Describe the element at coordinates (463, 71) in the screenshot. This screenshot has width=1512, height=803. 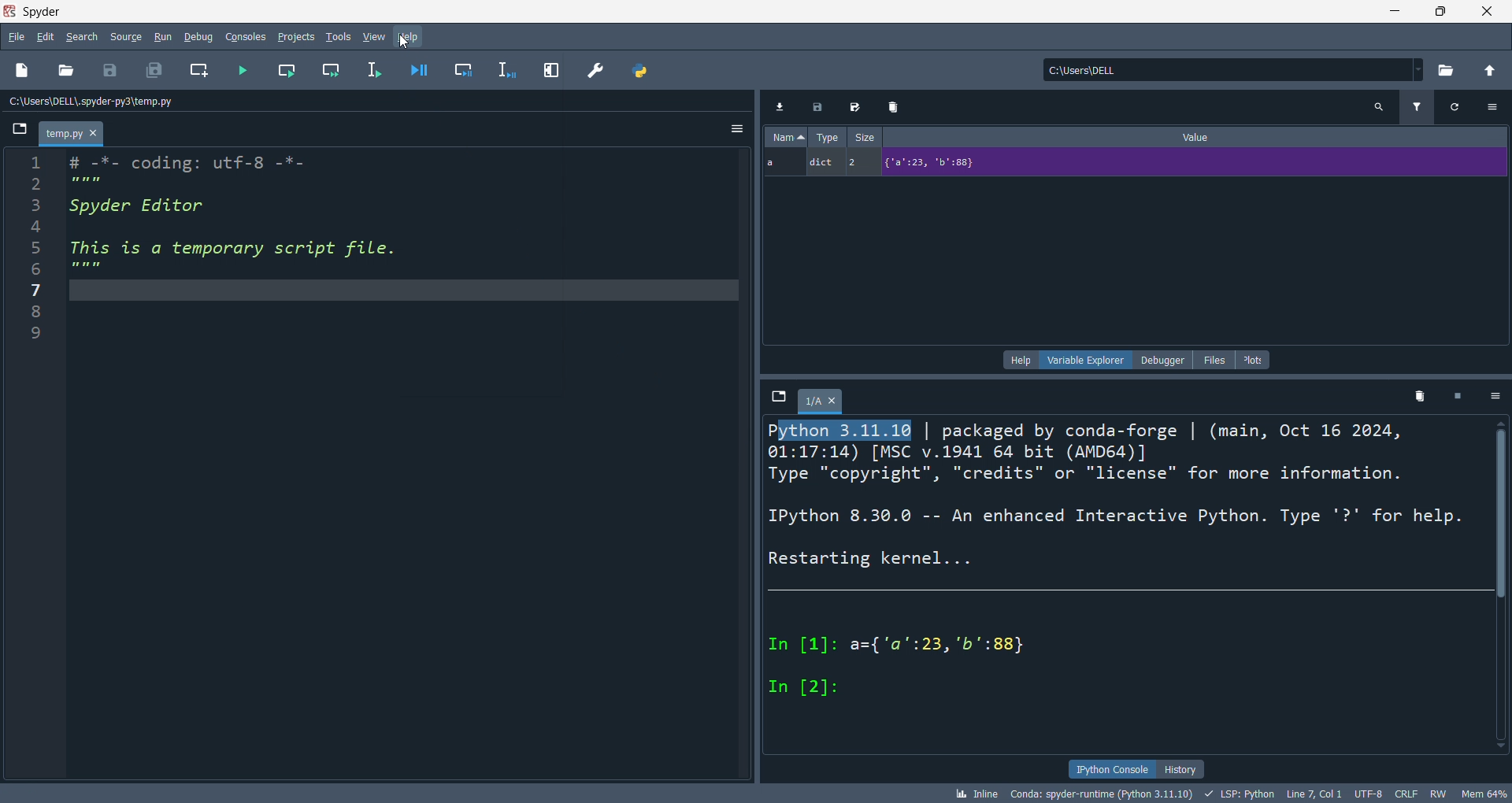
I see `debug cell` at that location.